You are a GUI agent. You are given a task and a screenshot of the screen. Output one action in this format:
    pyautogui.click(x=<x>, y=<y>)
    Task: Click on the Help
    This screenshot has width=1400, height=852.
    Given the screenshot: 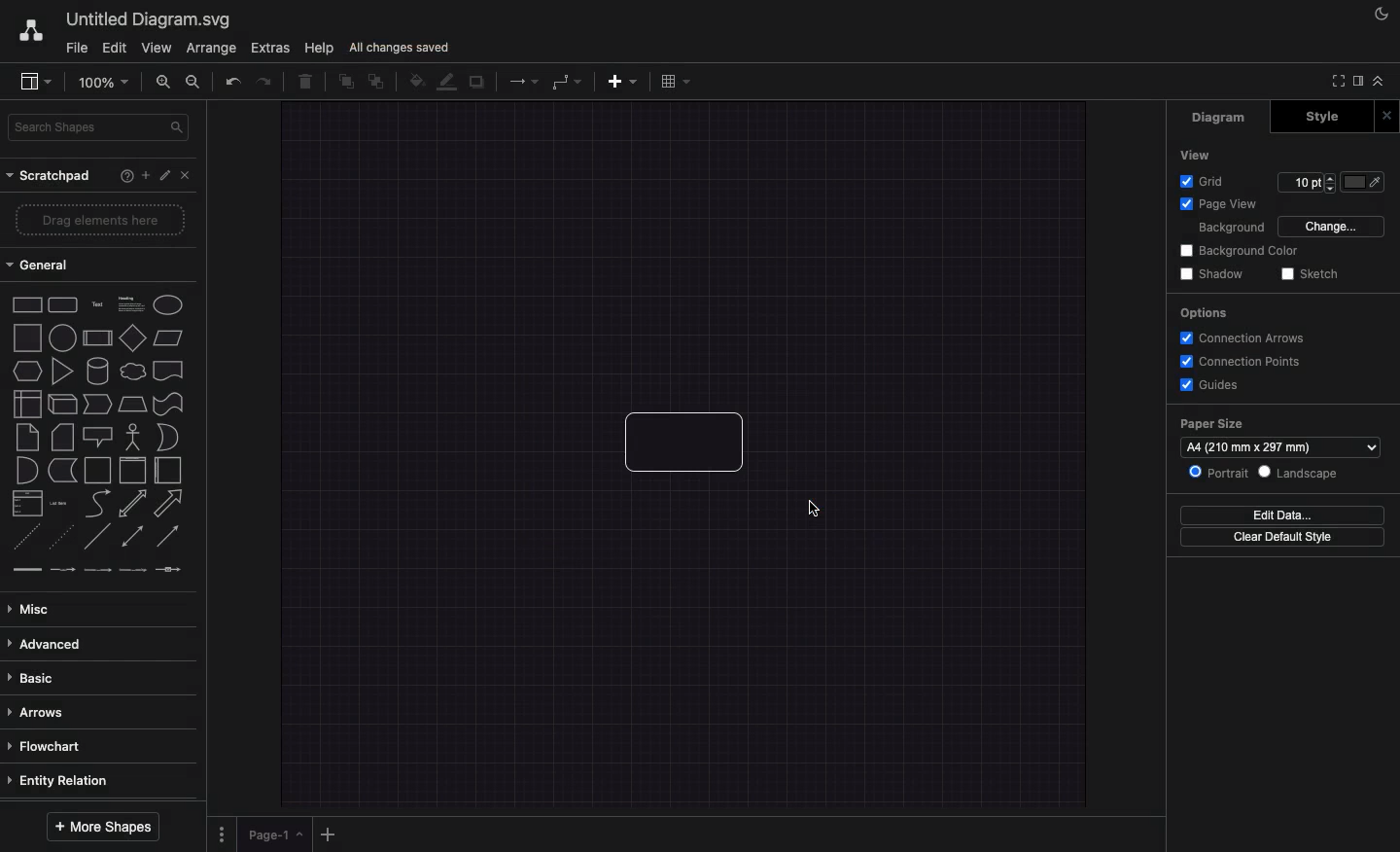 What is the action you would take?
    pyautogui.click(x=321, y=49)
    